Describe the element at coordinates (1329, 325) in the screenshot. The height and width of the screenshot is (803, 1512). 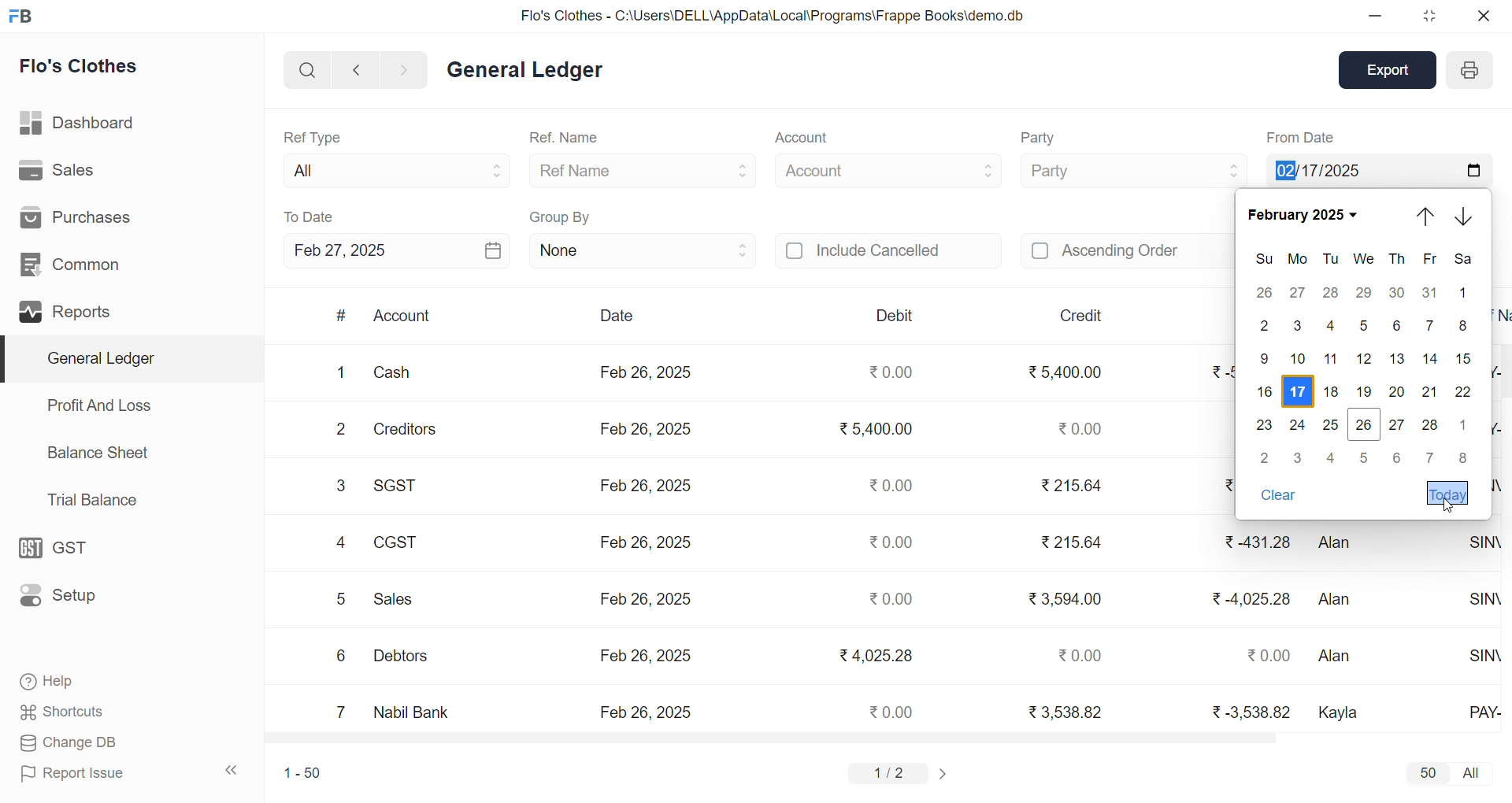
I see `4` at that location.